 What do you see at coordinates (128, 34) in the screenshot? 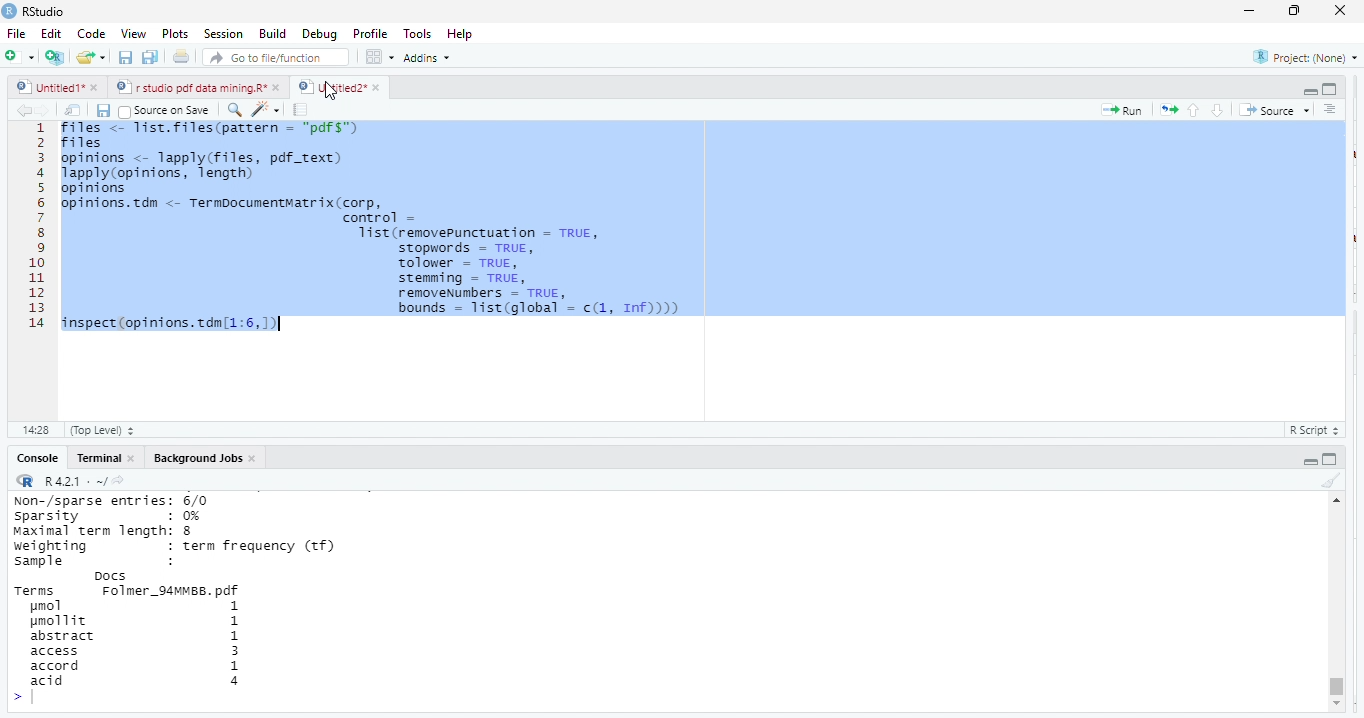
I see `view` at bounding box center [128, 34].